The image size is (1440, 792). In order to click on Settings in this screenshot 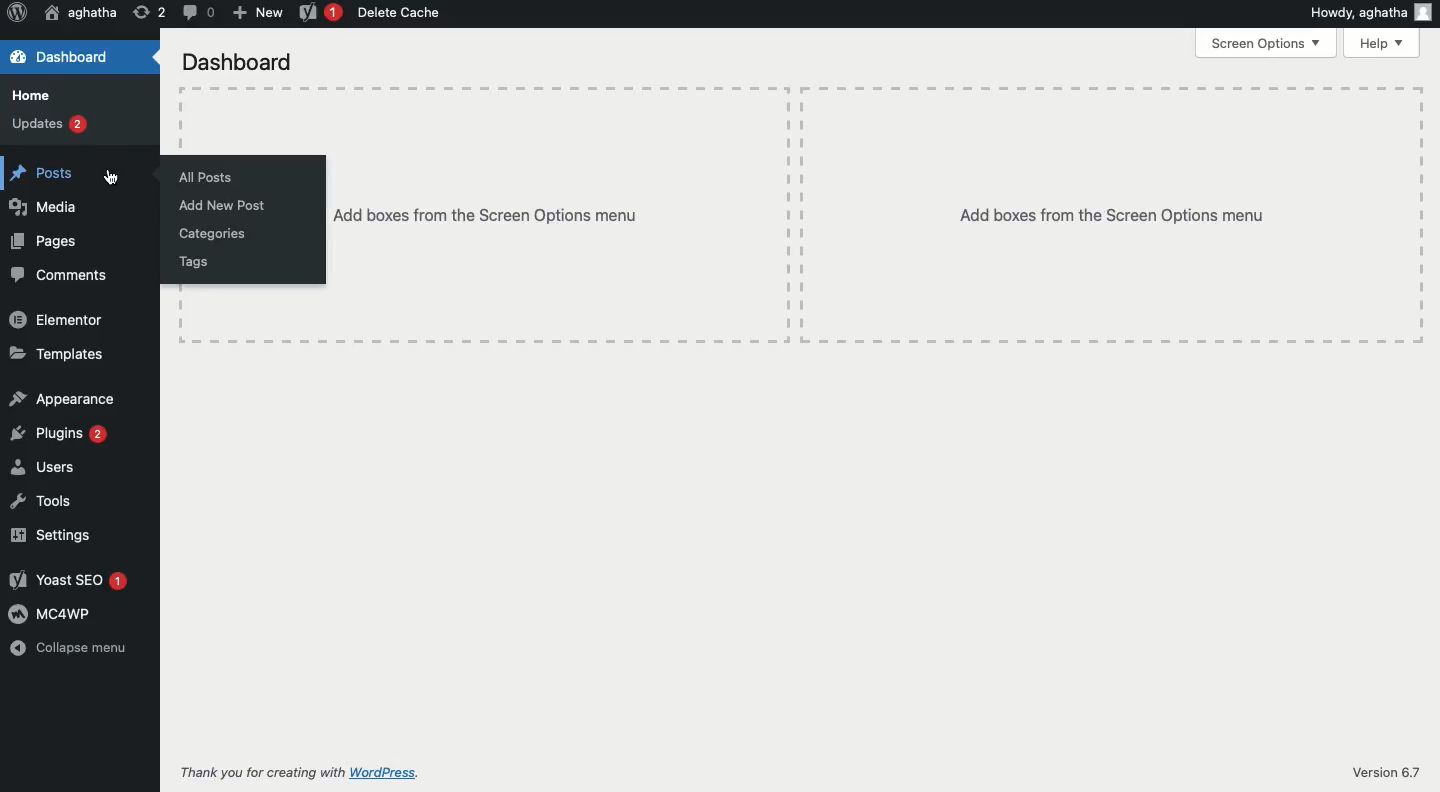, I will do `click(51, 534)`.